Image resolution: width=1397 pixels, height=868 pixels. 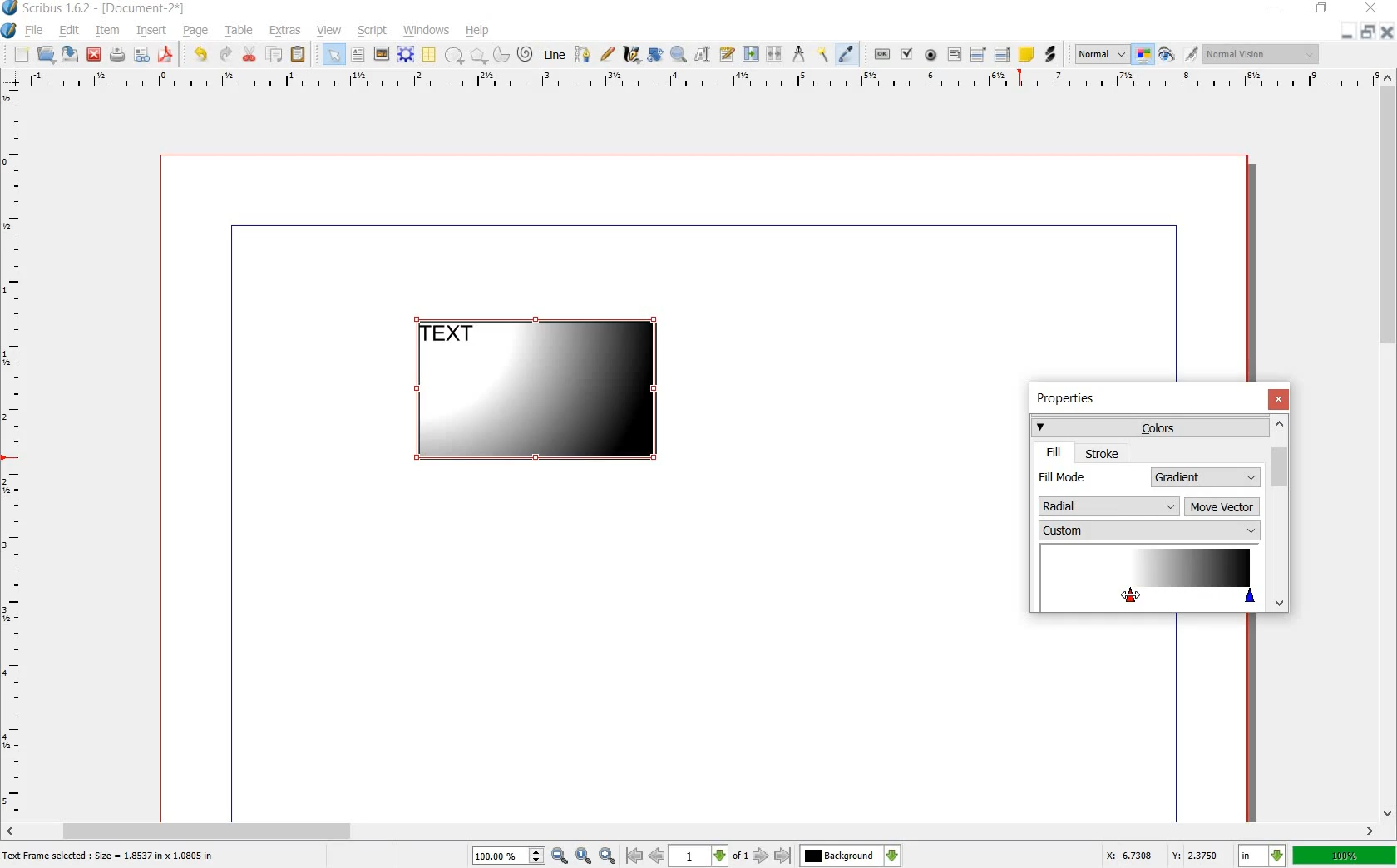 I want to click on 1, so click(x=697, y=856).